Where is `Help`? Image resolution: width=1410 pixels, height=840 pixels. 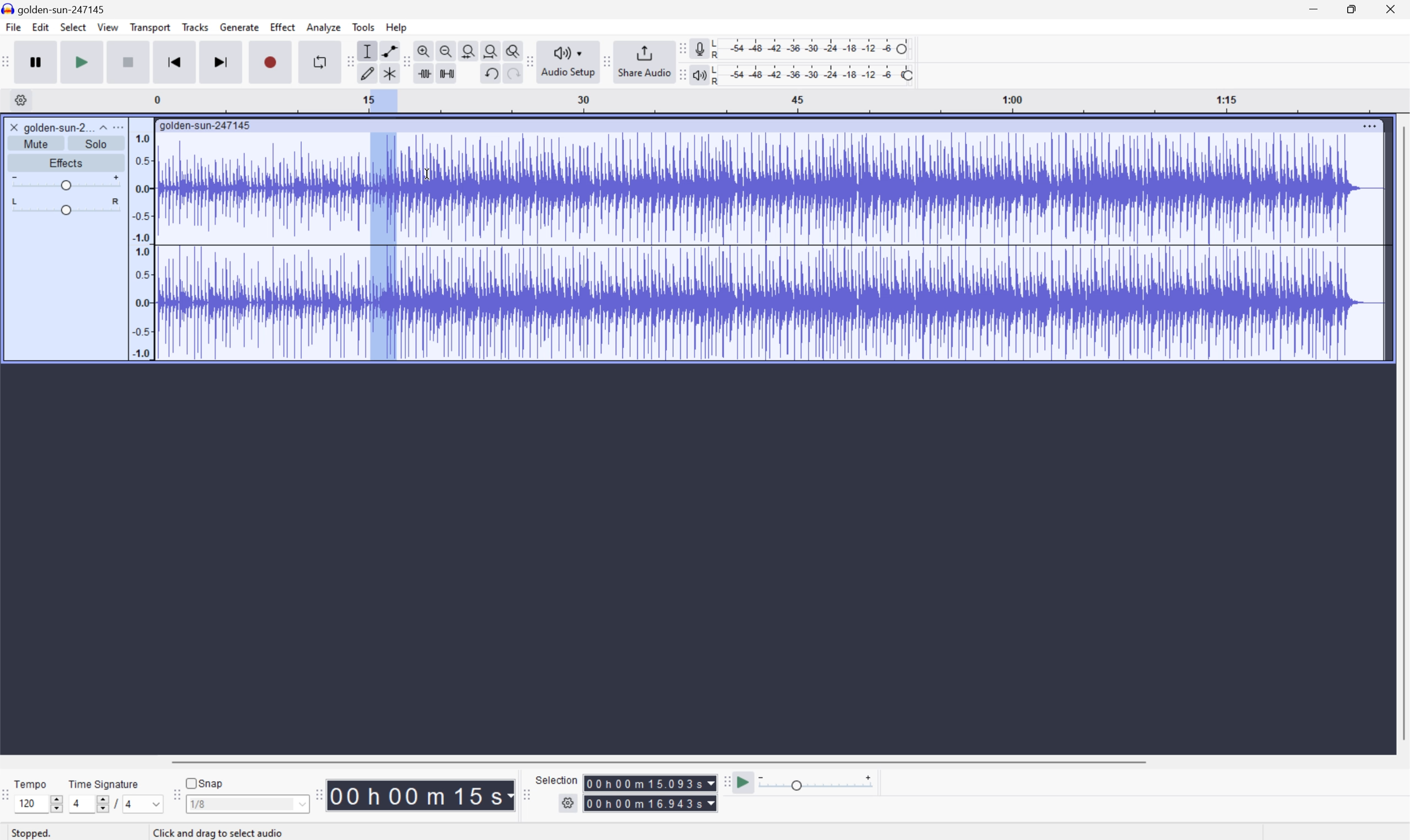 Help is located at coordinates (397, 27).